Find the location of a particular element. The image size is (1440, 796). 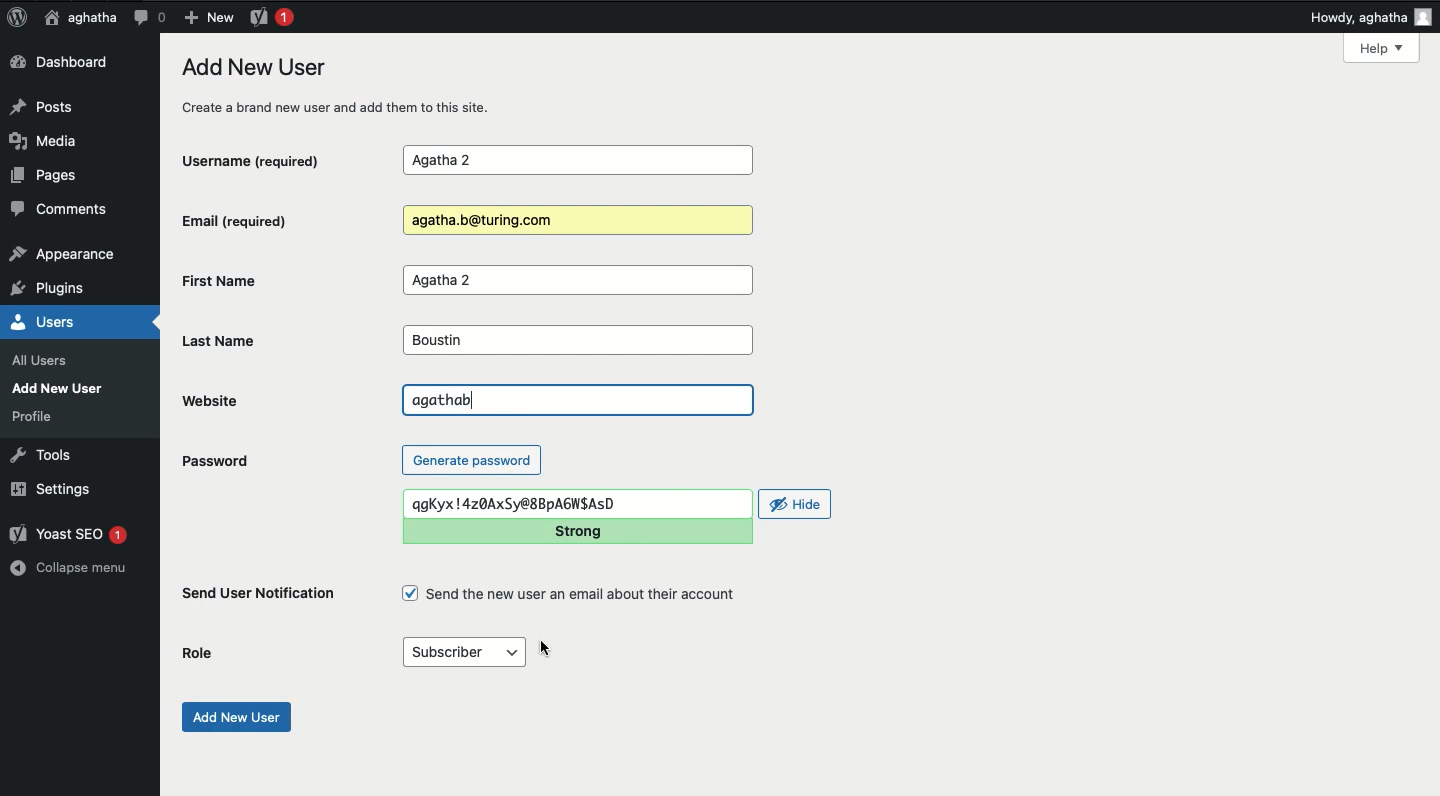

Password is located at coordinates (214, 461).